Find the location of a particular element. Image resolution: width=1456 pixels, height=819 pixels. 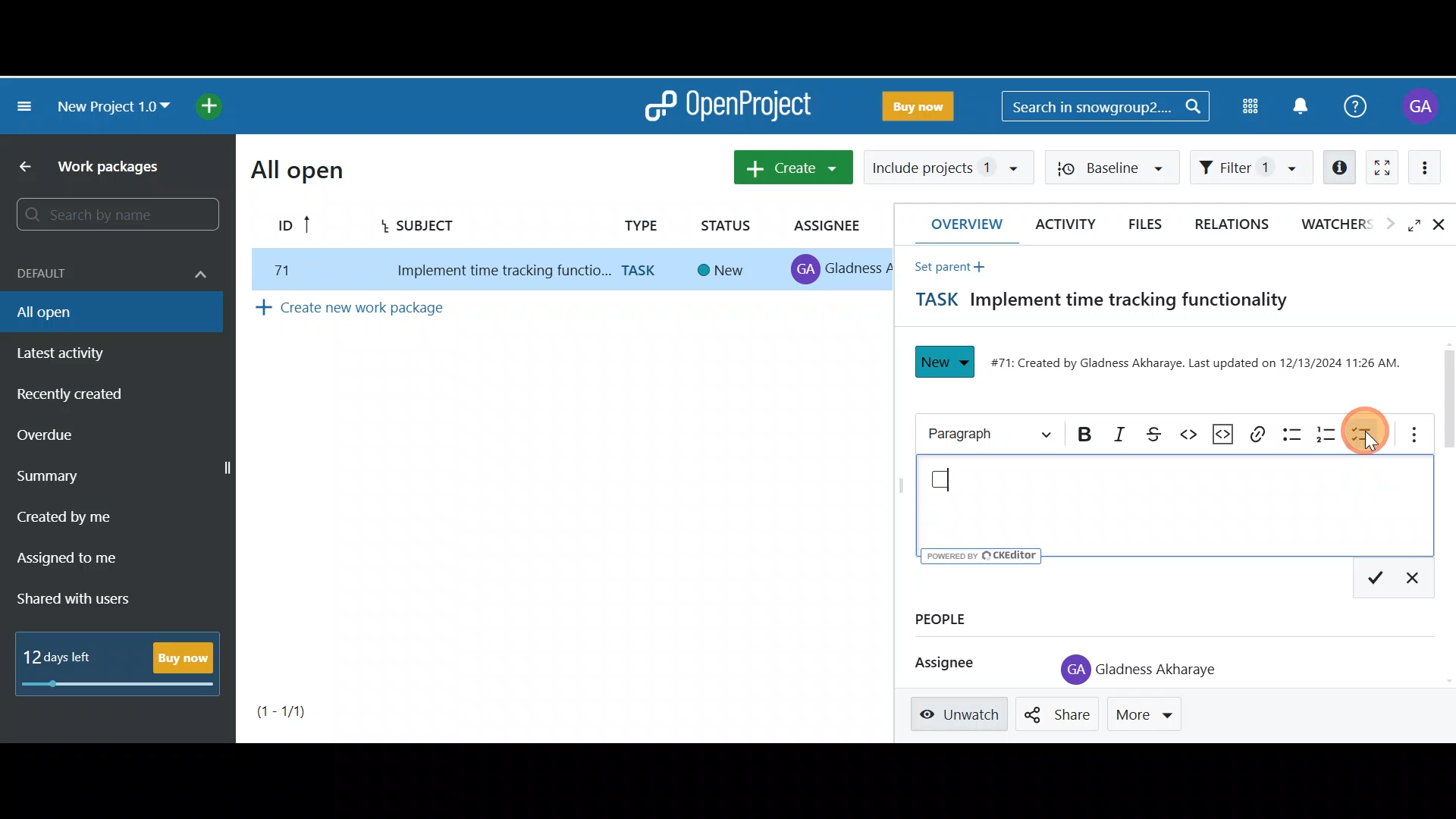

New is located at coordinates (946, 362).